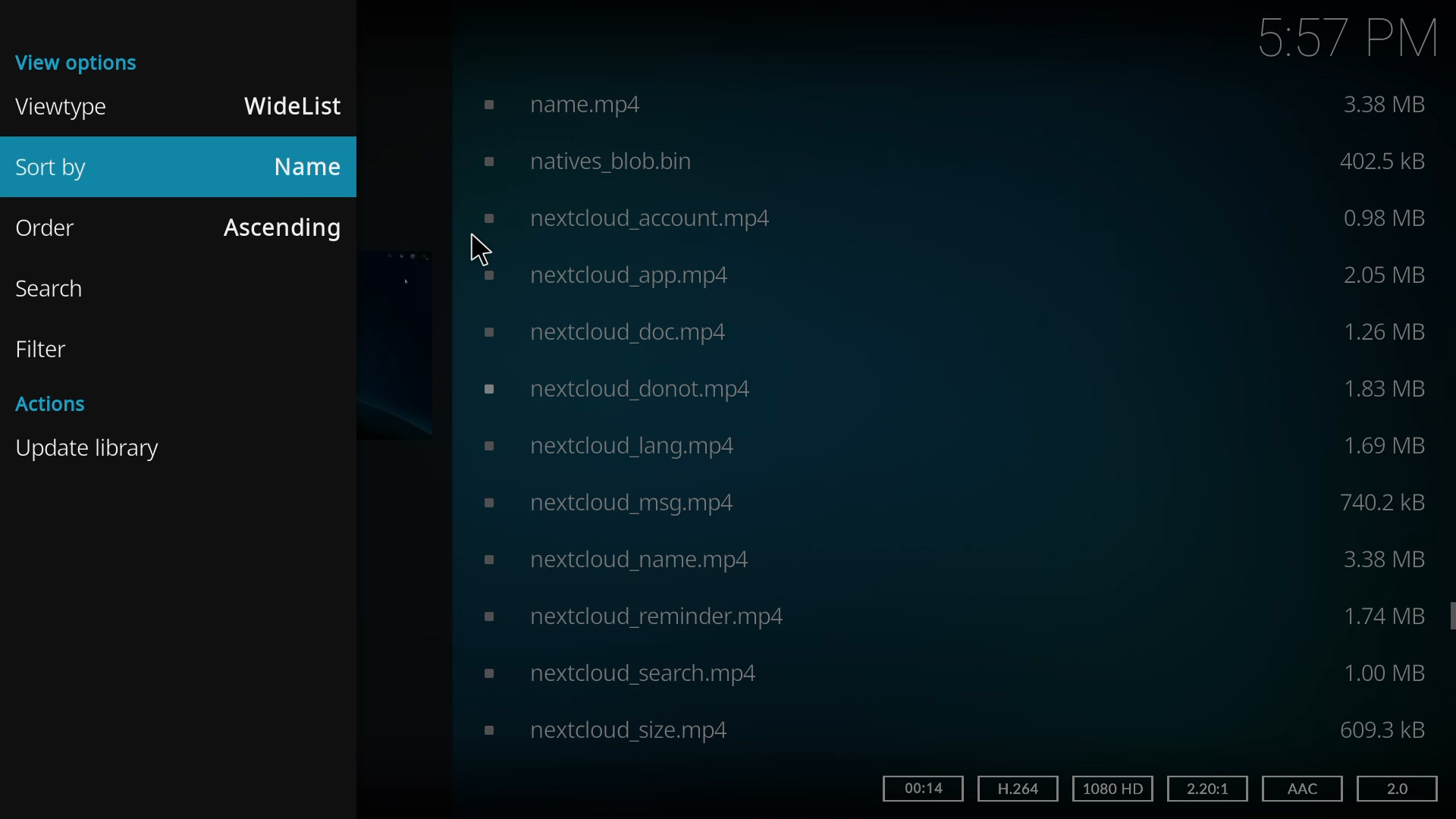  What do you see at coordinates (1391, 275) in the screenshot?
I see `size` at bounding box center [1391, 275].